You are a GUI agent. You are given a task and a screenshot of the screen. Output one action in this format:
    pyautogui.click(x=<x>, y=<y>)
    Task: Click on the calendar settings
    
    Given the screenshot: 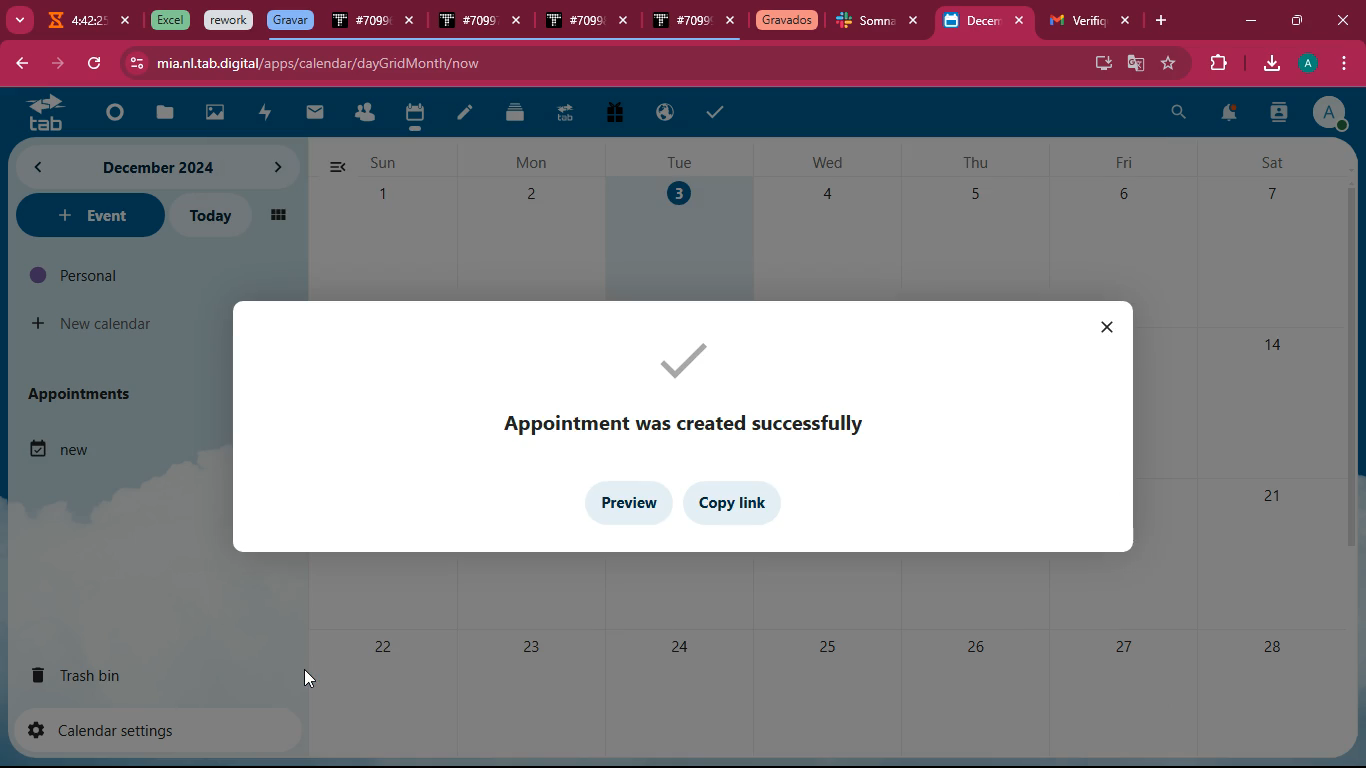 What is the action you would take?
    pyautogui.click(x=110, y=729)
    